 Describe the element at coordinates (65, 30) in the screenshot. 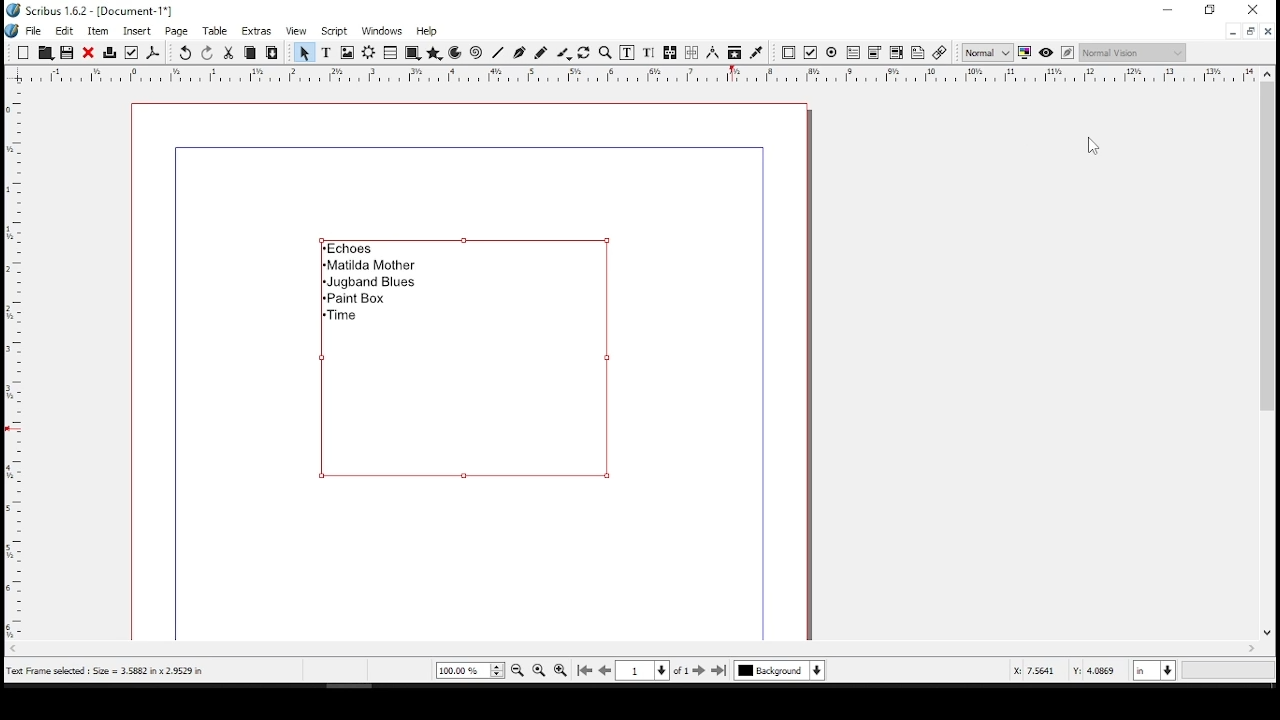

I see `edit` at that location.